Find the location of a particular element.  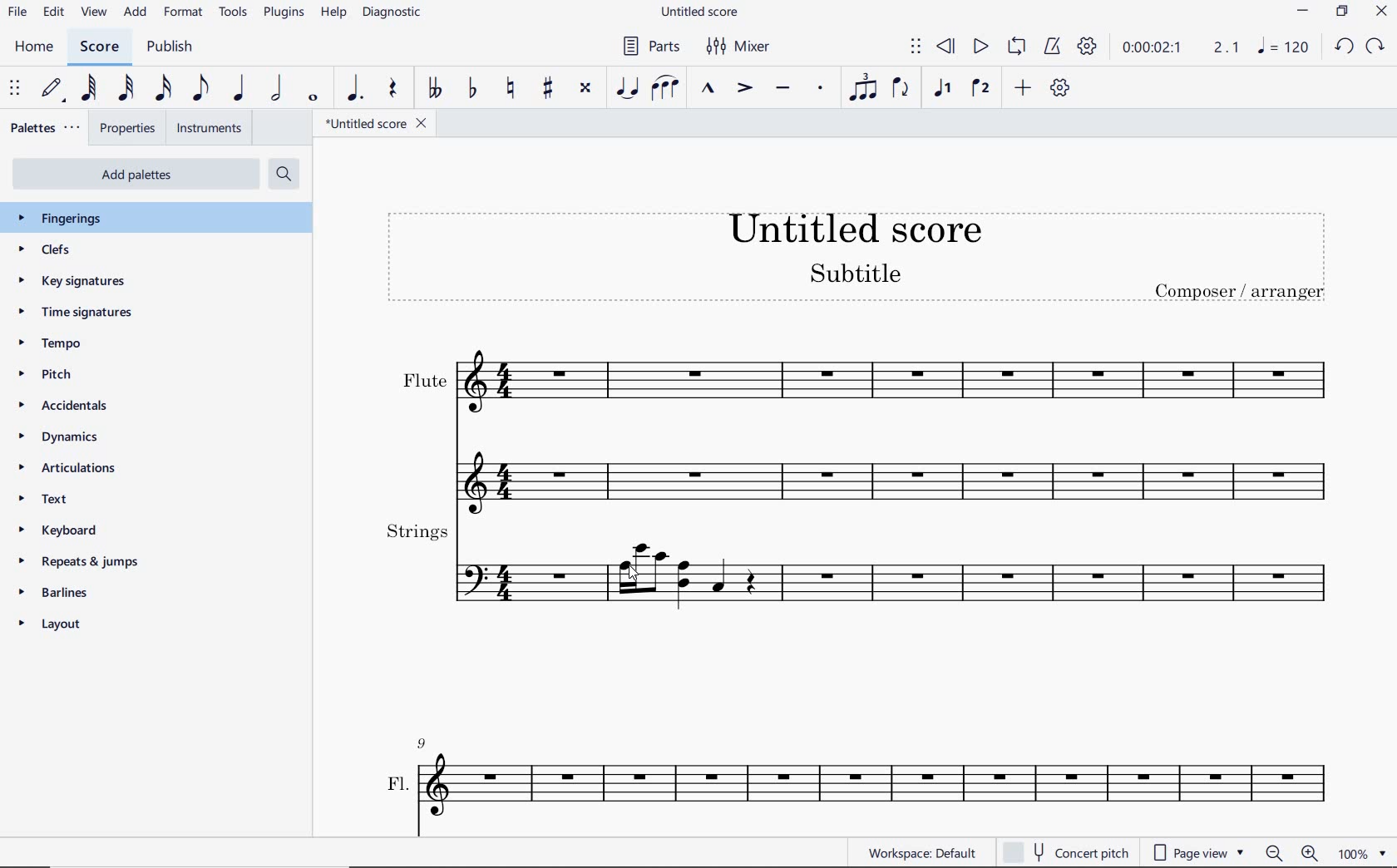

zoom factor is located at coordinates (1365, 852).